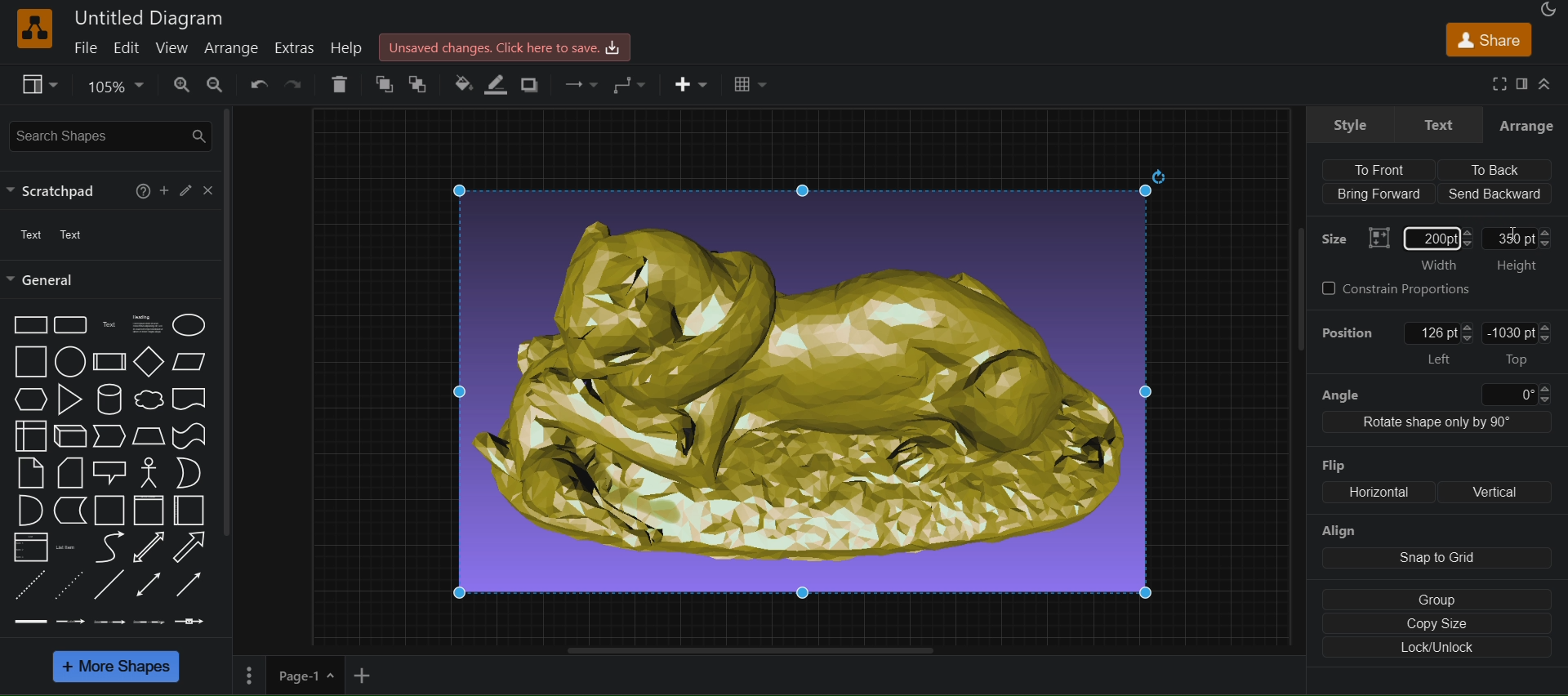 This screenshot has height=696, width=1568. Describe the element at coordinates (213, 85) in the screenshot. I see `zoom out` at that location.